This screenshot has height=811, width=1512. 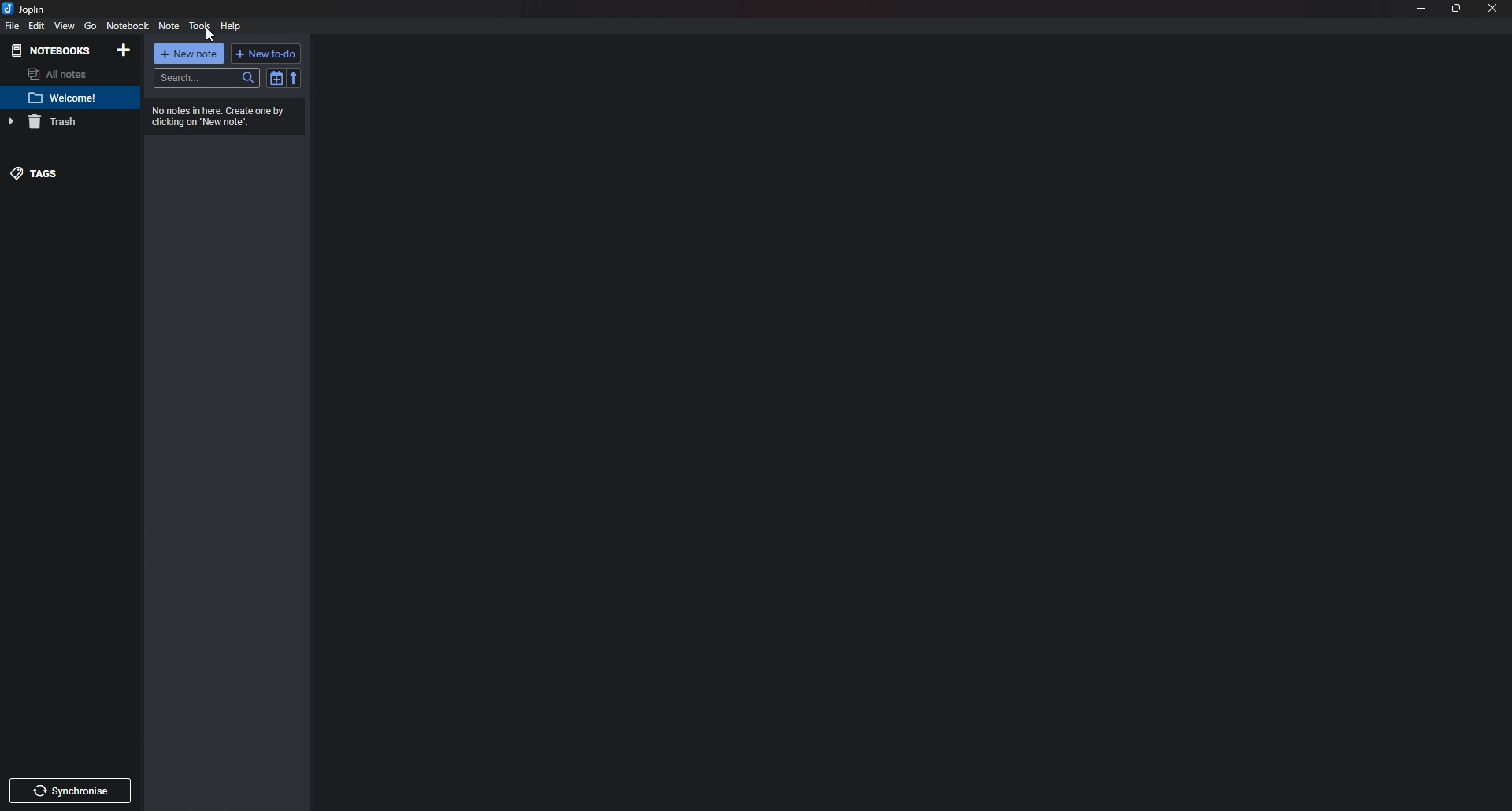 What do you see at coordinates (1493, 9) in the screenshot?
I see `close` at bounding box center [1493, 9].